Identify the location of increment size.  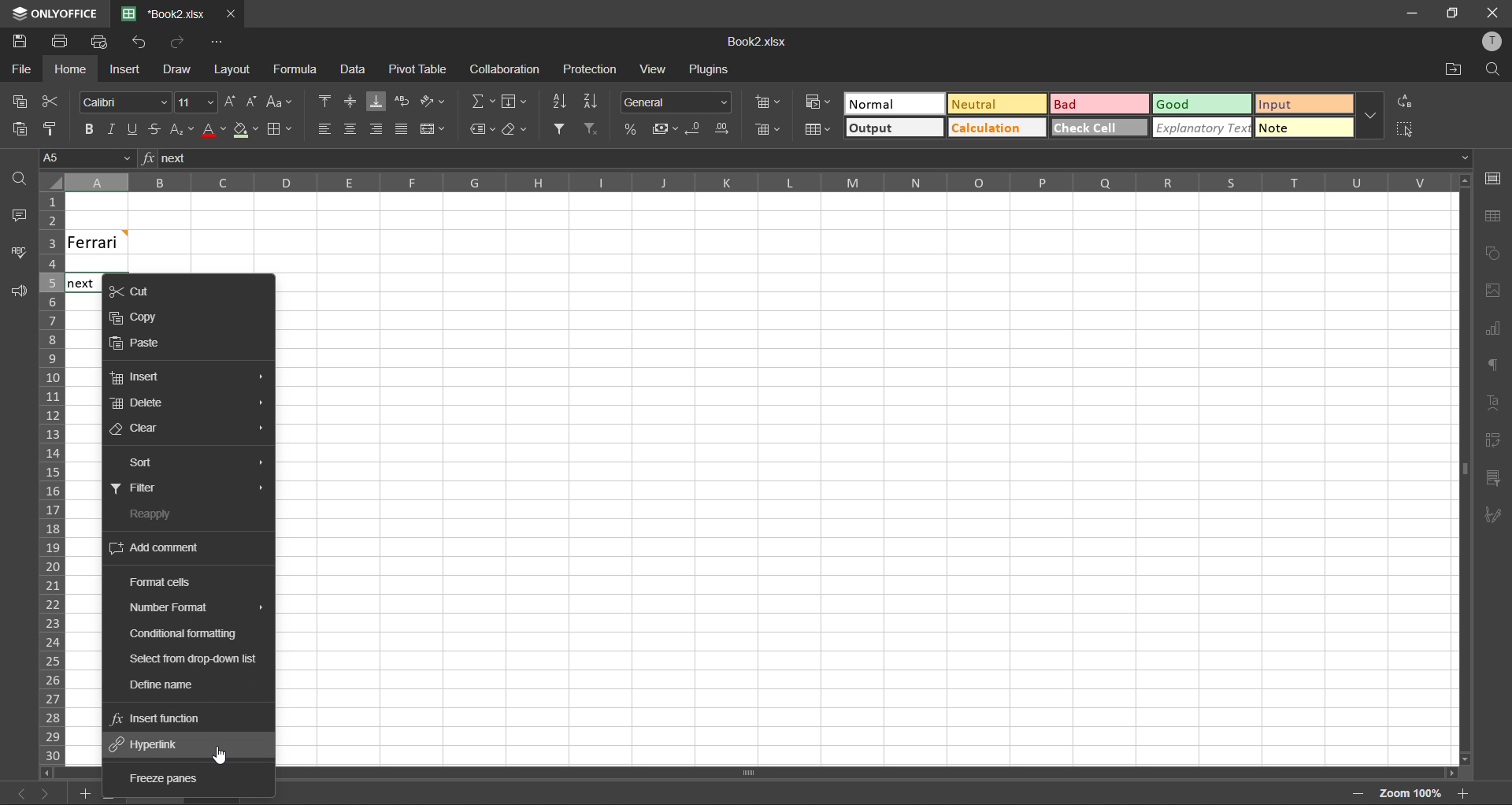
(229, 102).